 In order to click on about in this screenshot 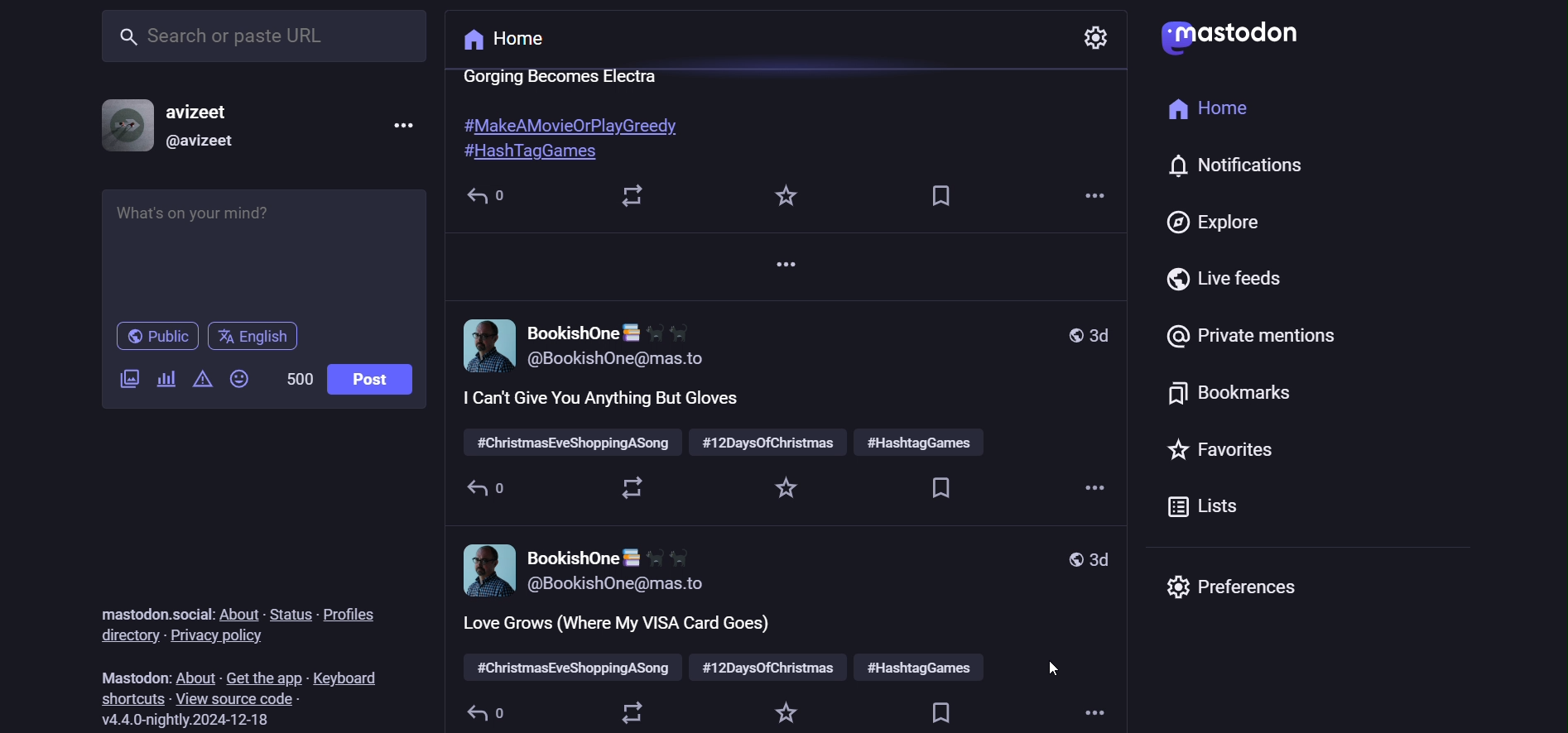, I will do `click(194, 677)`.